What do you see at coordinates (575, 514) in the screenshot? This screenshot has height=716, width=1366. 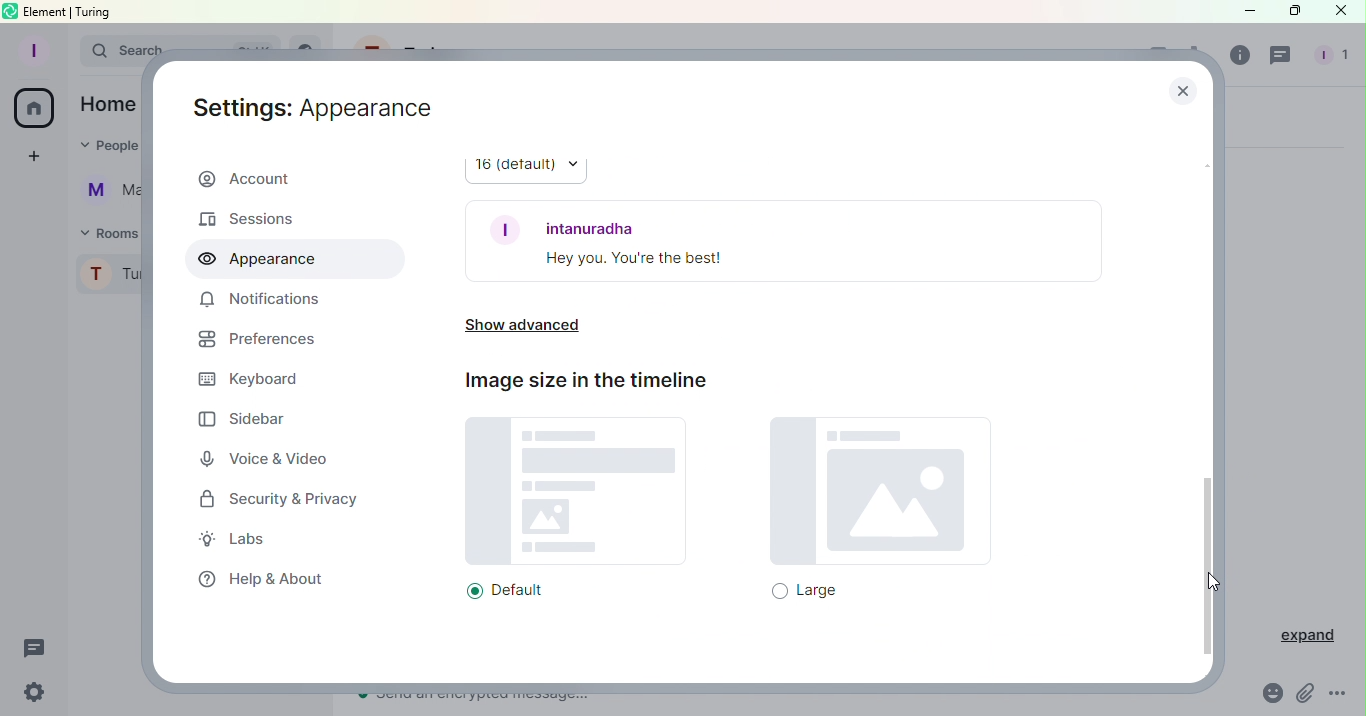 I see `Default` at bounding box center [575, 514].